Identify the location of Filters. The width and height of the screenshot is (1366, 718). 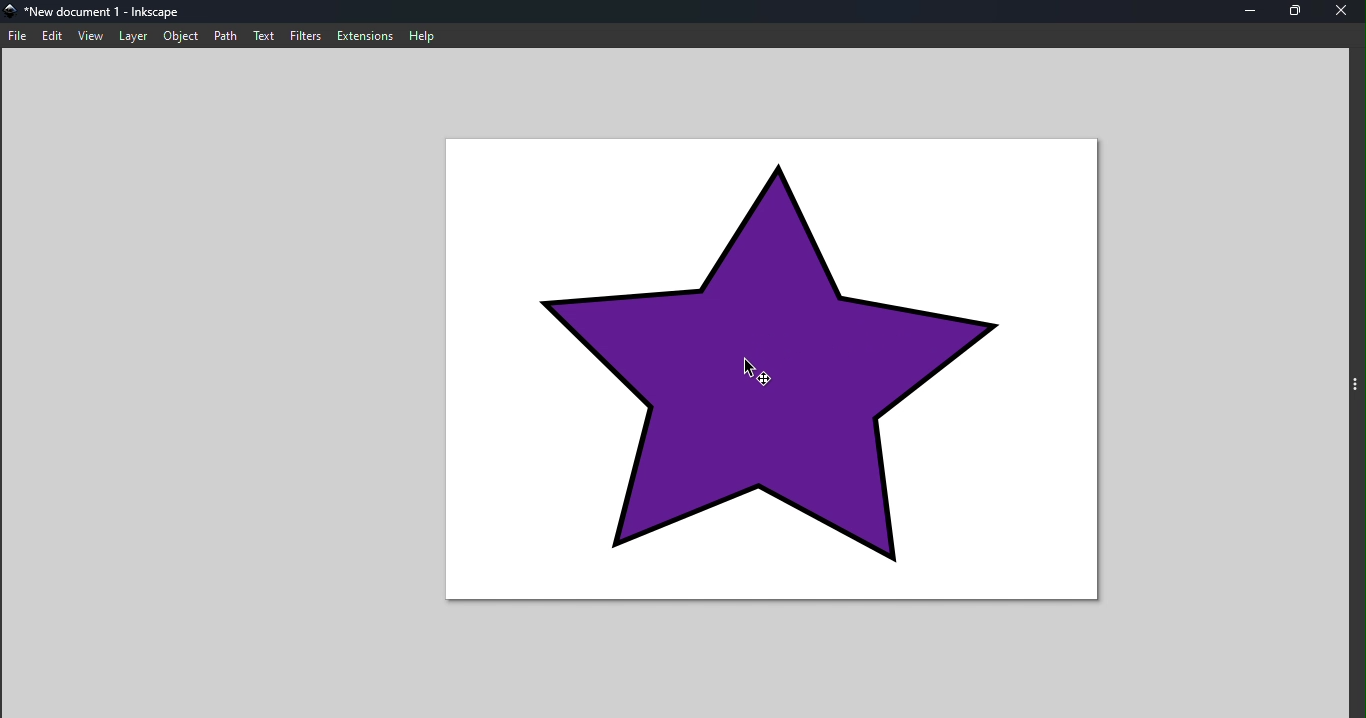
(303, 35).